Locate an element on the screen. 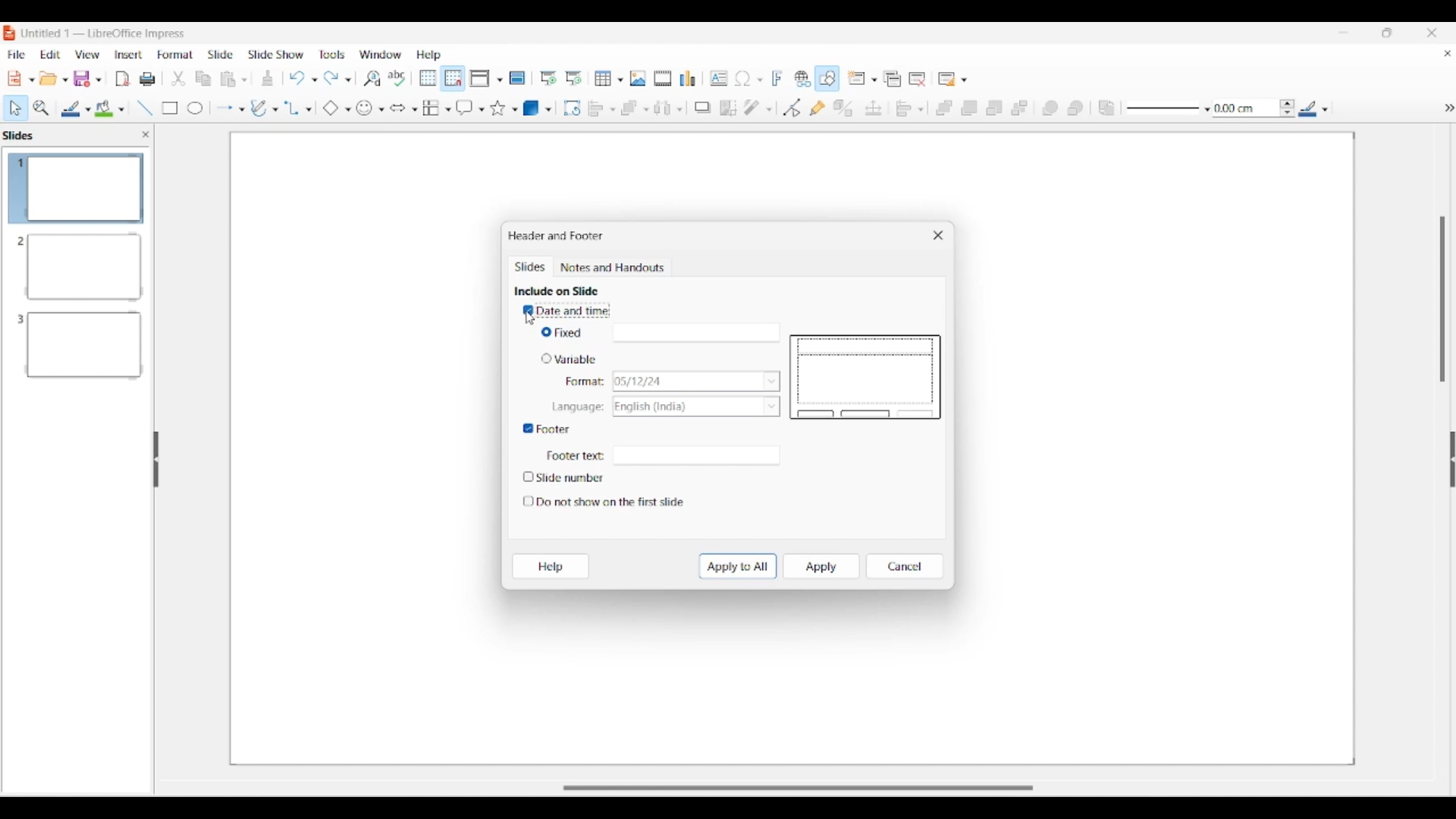  Indicates Footer text box is located at coordinates (575, 457).